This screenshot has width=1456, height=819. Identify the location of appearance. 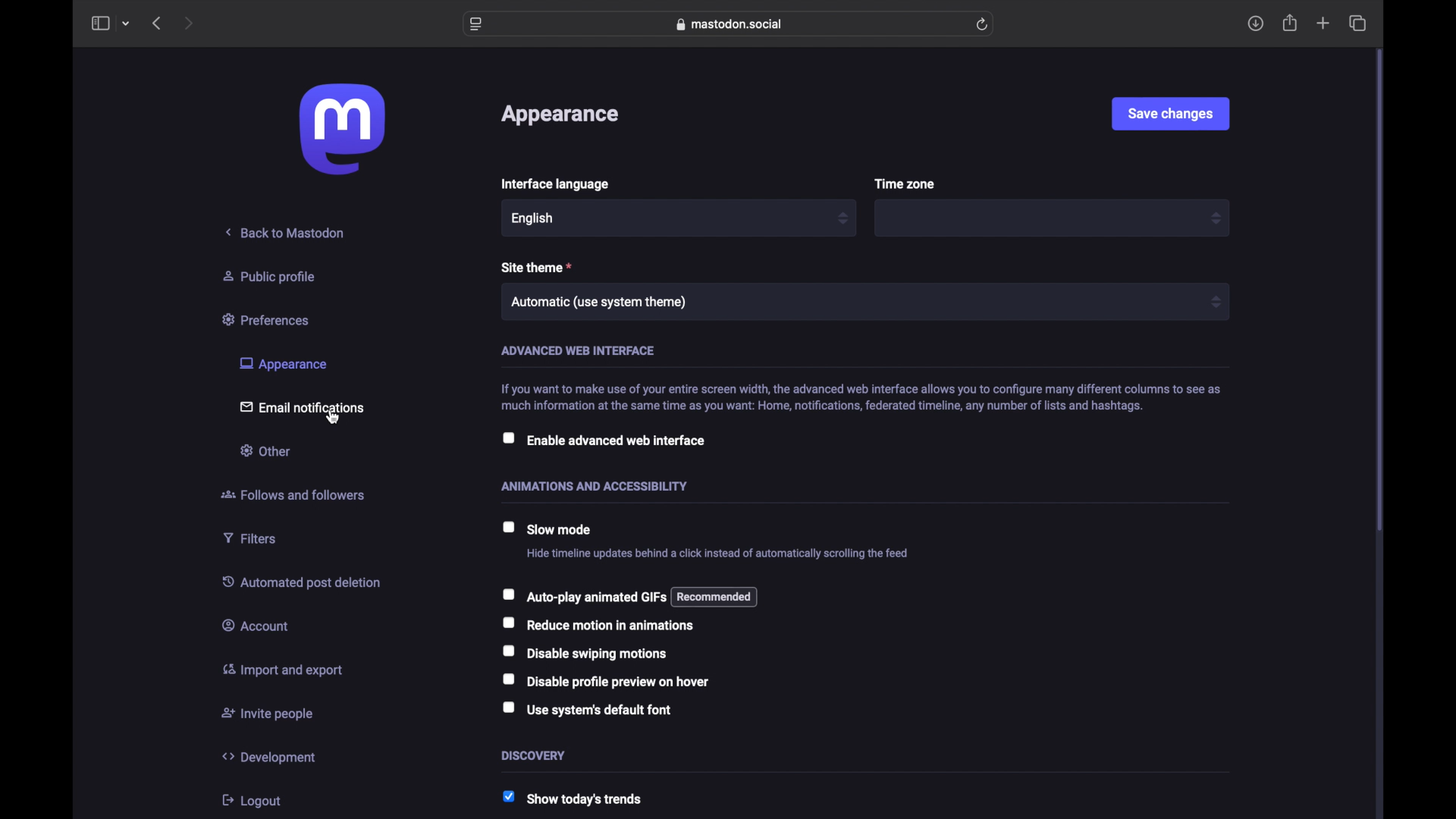
(558, 115).